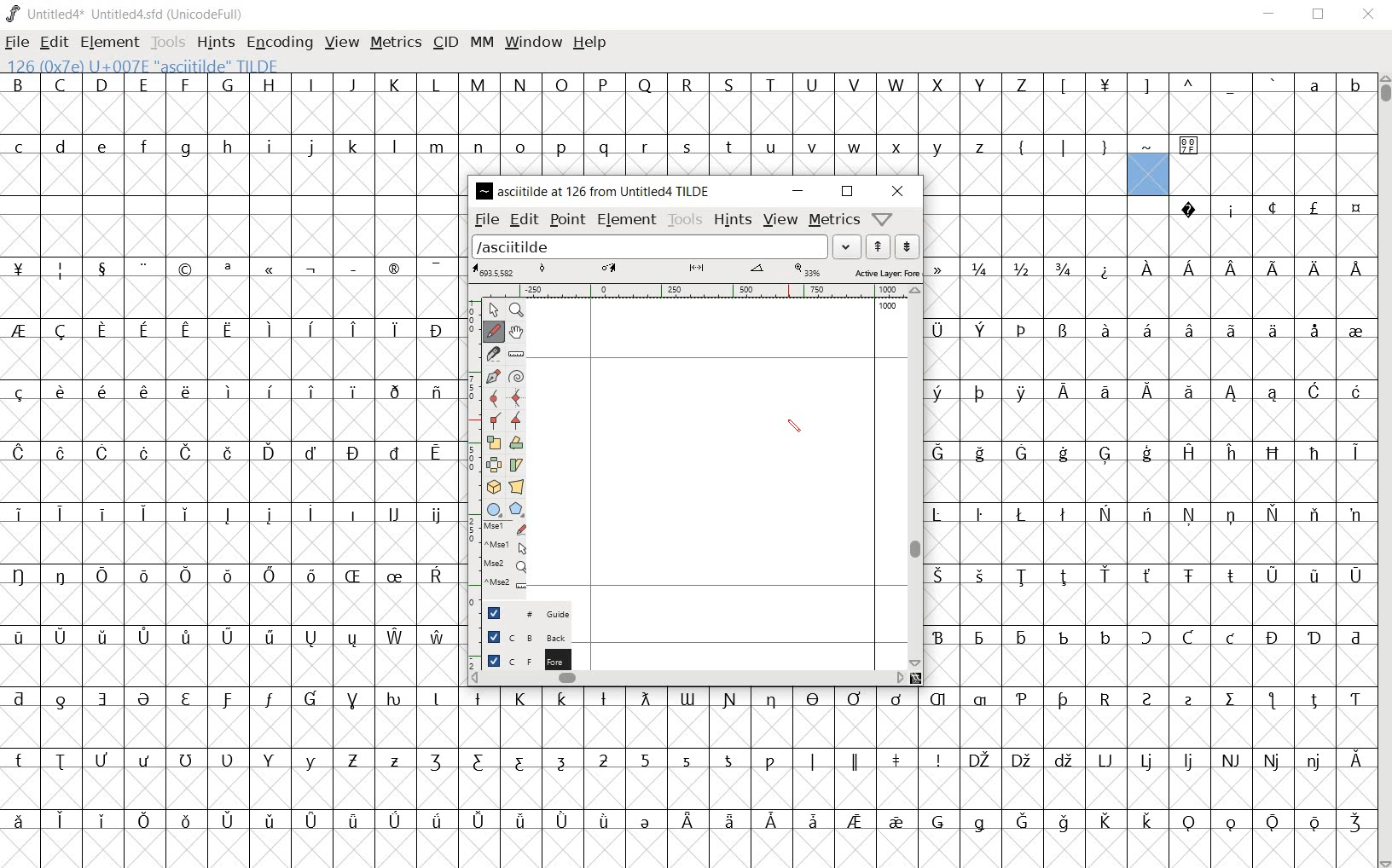 This screenshot has width=1392, height=868. I want to click on background, so click(519, 635).